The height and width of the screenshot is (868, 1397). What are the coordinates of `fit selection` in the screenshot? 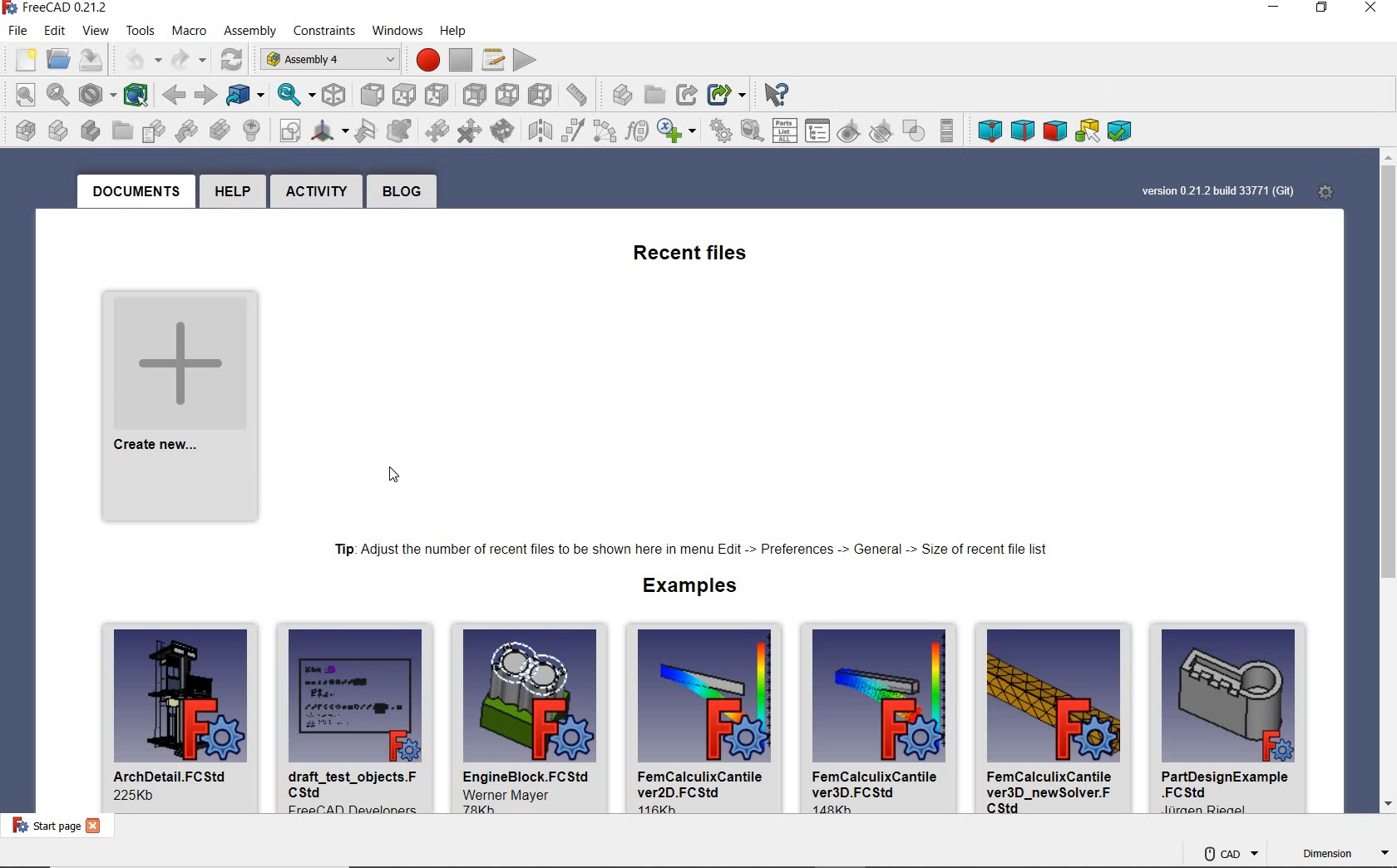 It's located at (57, 94).